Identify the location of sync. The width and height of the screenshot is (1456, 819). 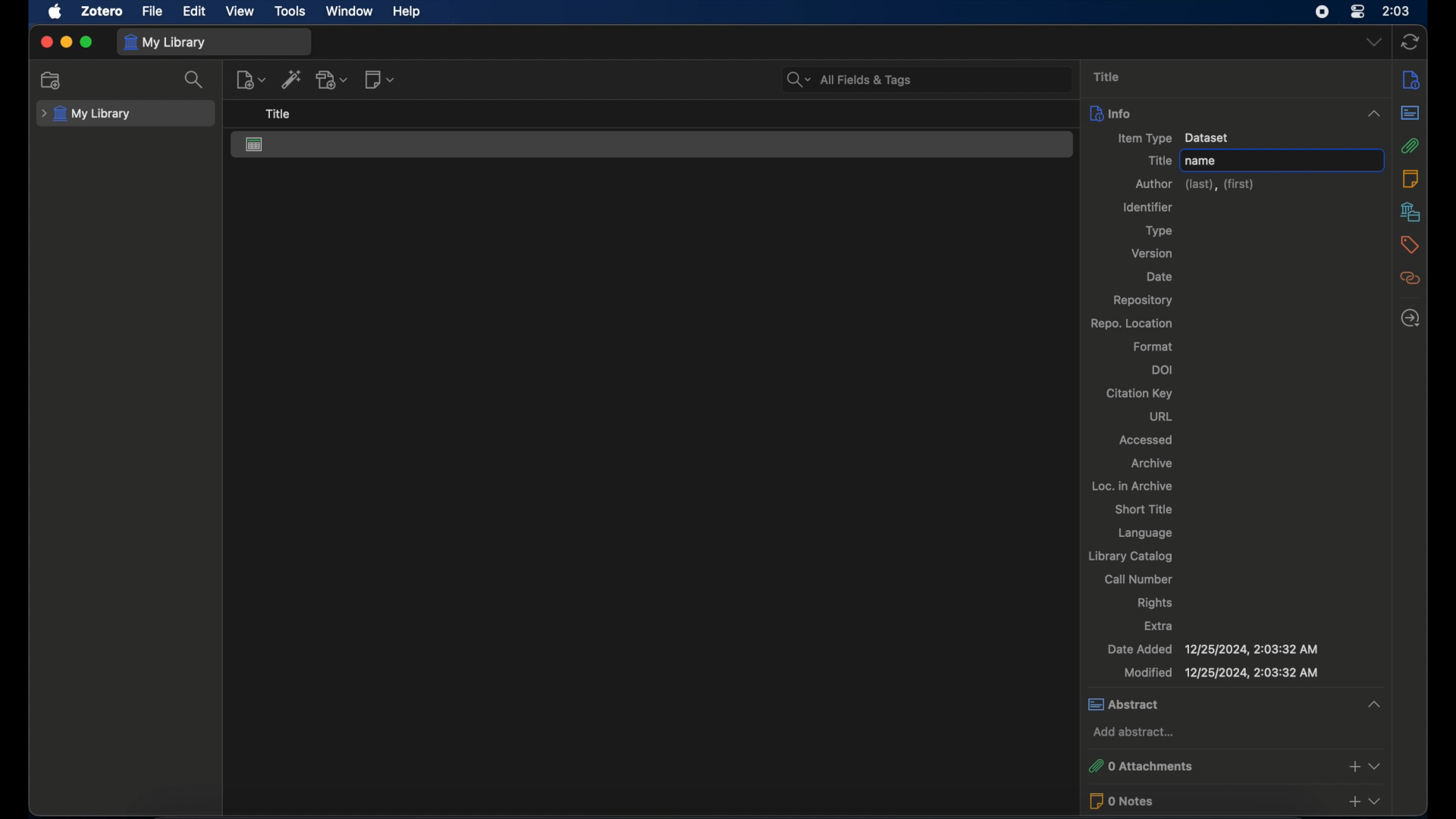
(1410, 42).